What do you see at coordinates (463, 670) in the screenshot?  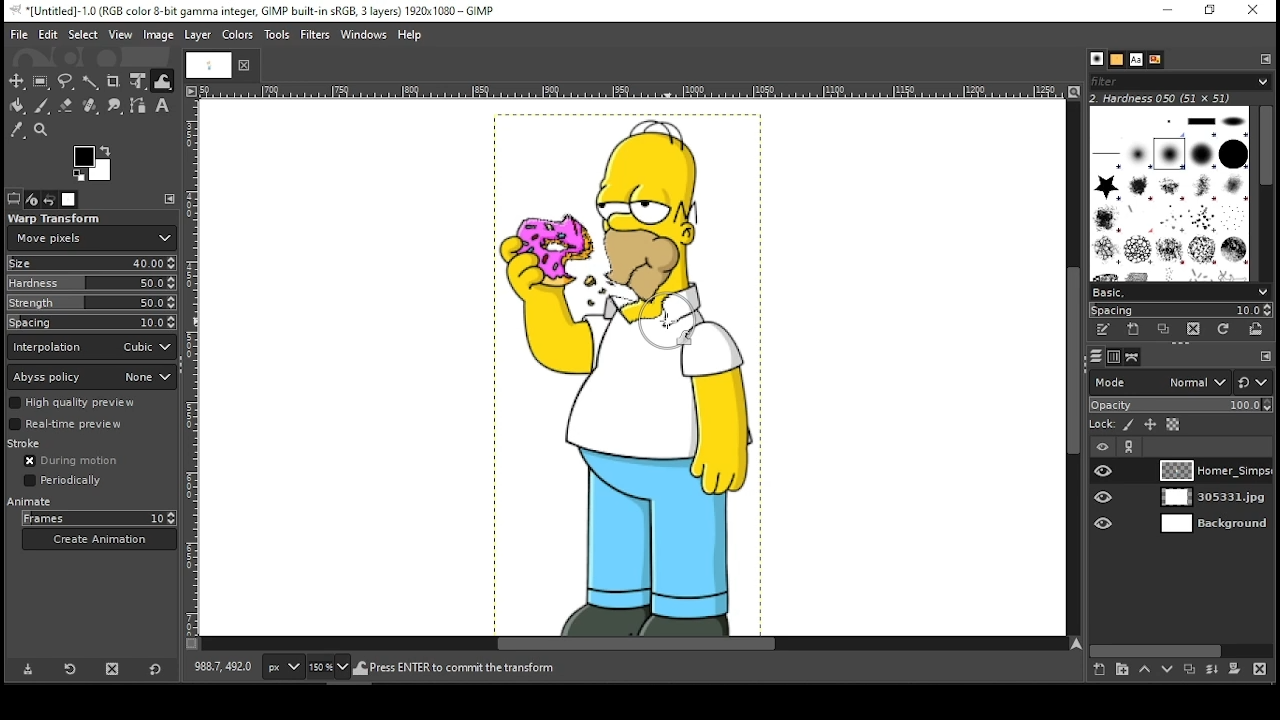 I see `press enter to commit the transform` at bounding box center [463, 670].